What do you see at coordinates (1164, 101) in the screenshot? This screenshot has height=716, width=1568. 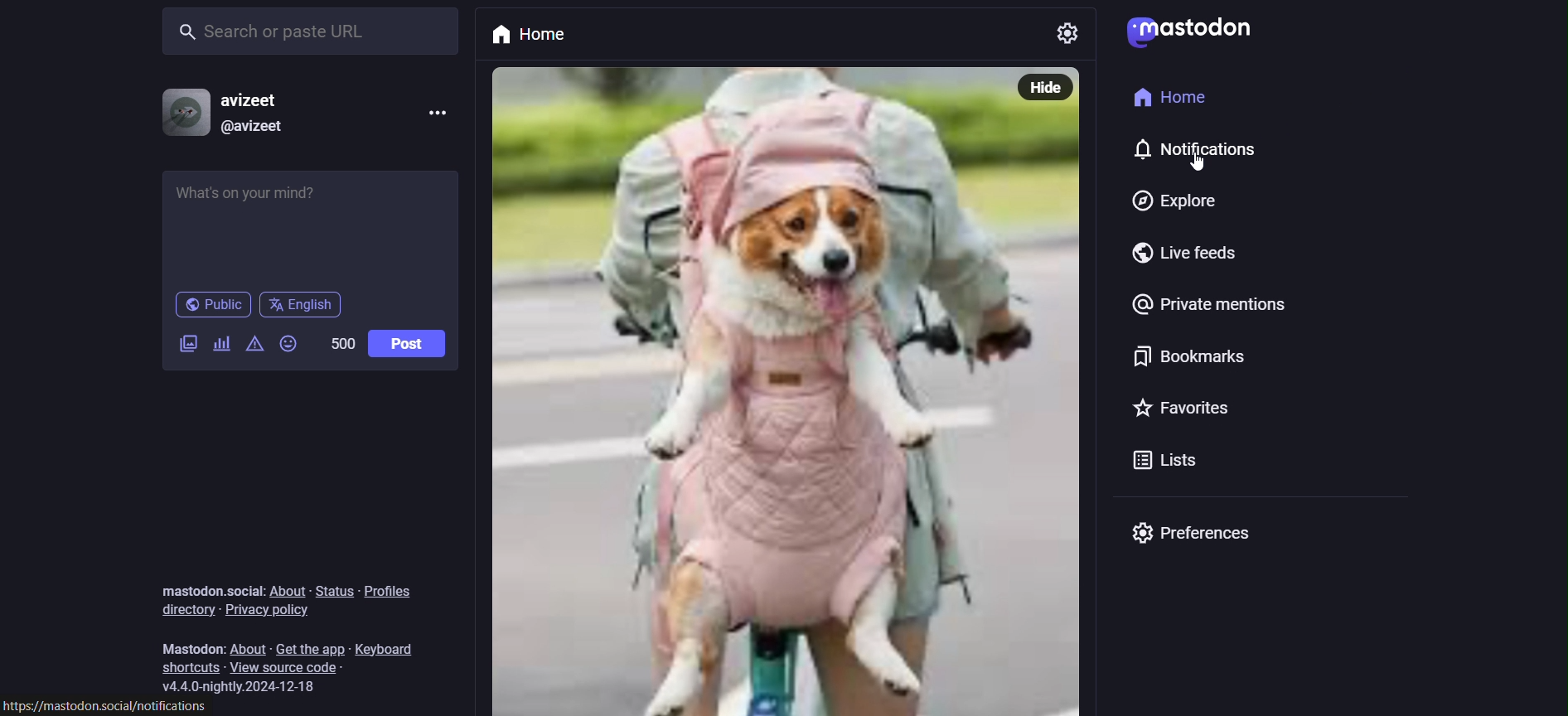 I see `home` at bounding box center [1164, 101].